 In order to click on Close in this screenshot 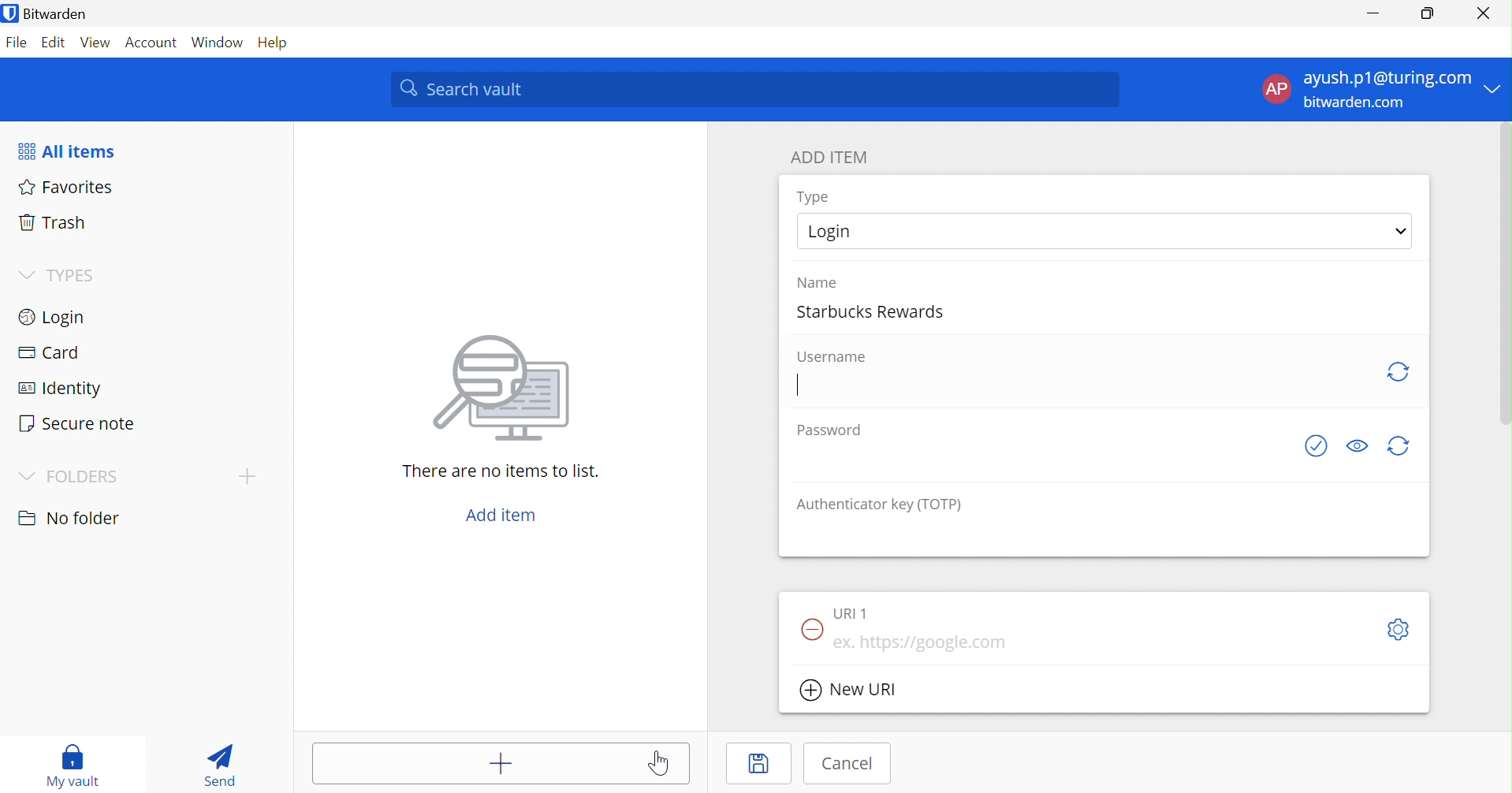, I will do `click(1486, 13)`.